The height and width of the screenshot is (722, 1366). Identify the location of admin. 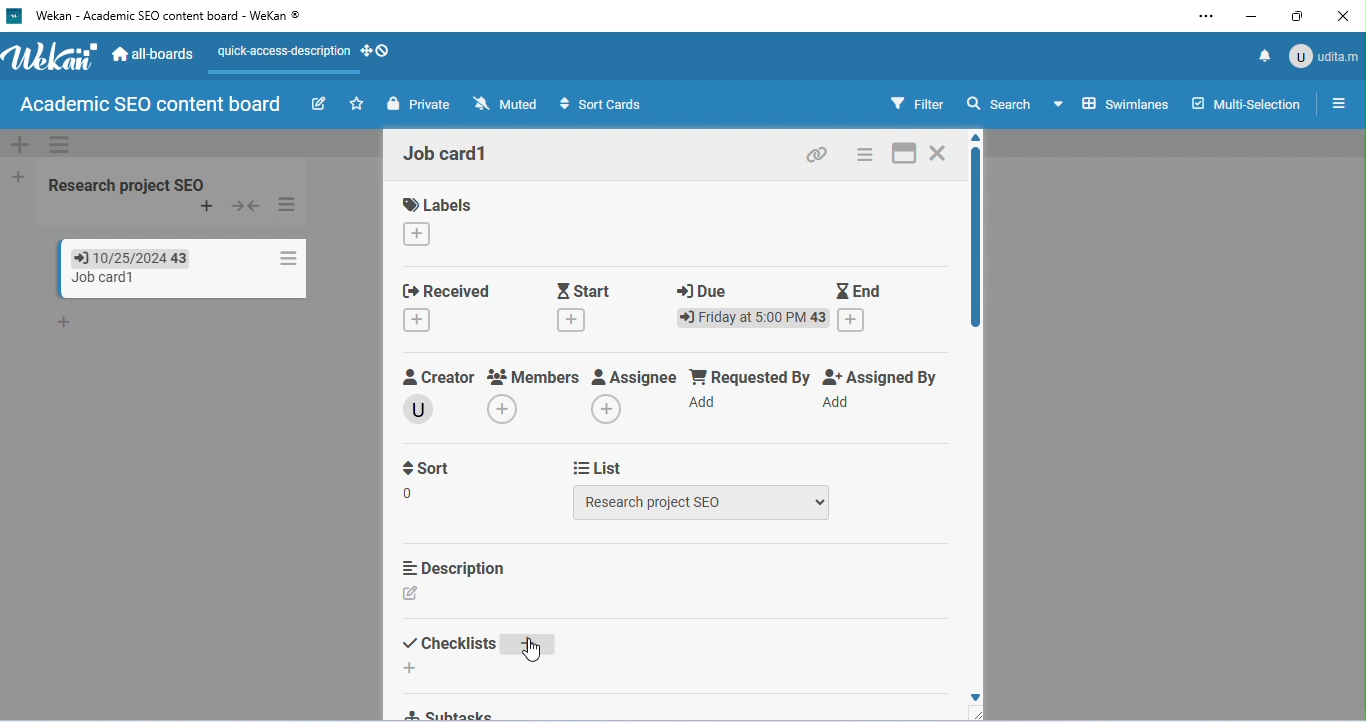
(1324, 54).